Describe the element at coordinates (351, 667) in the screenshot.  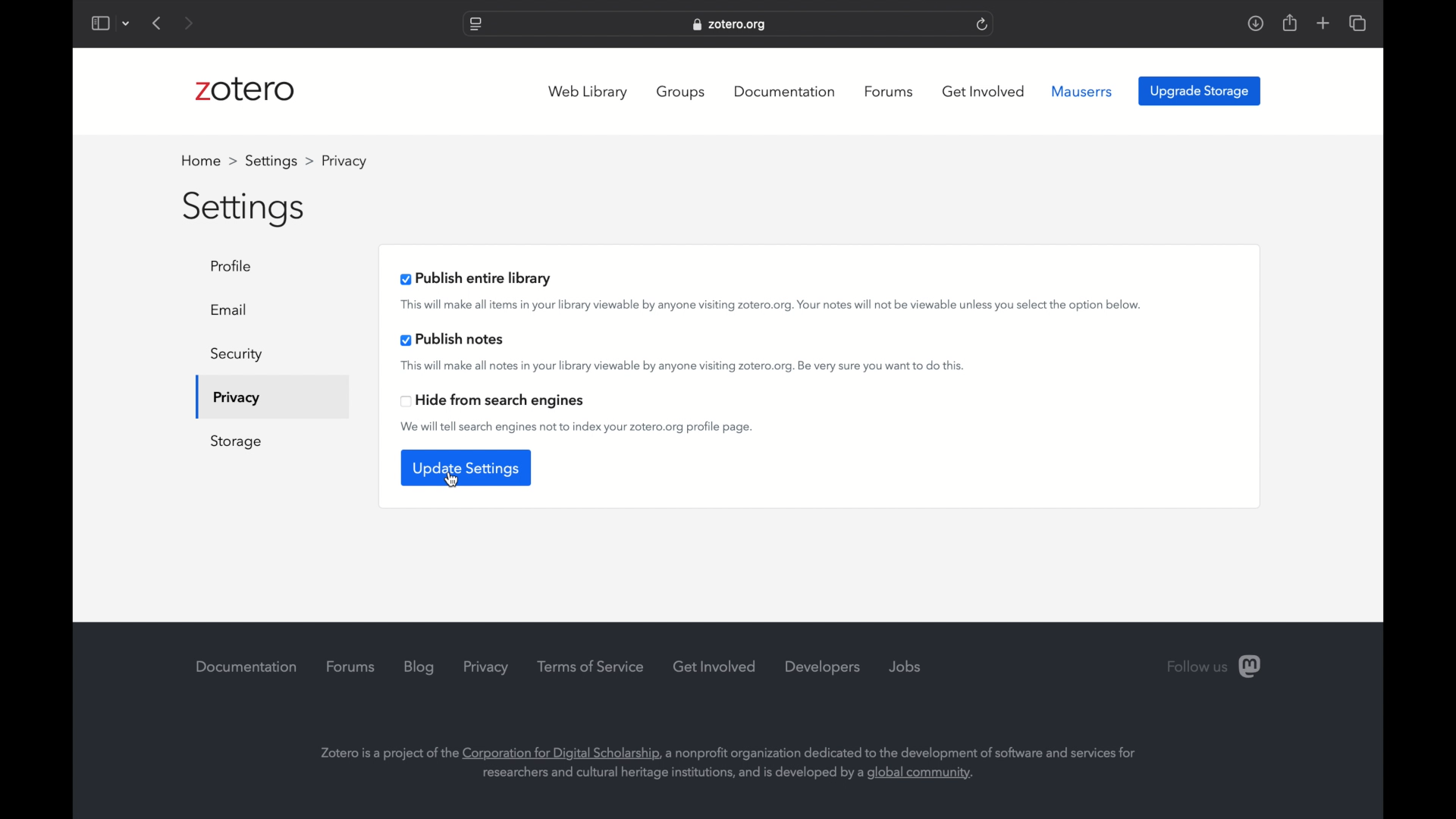
I see `forums` at that location.